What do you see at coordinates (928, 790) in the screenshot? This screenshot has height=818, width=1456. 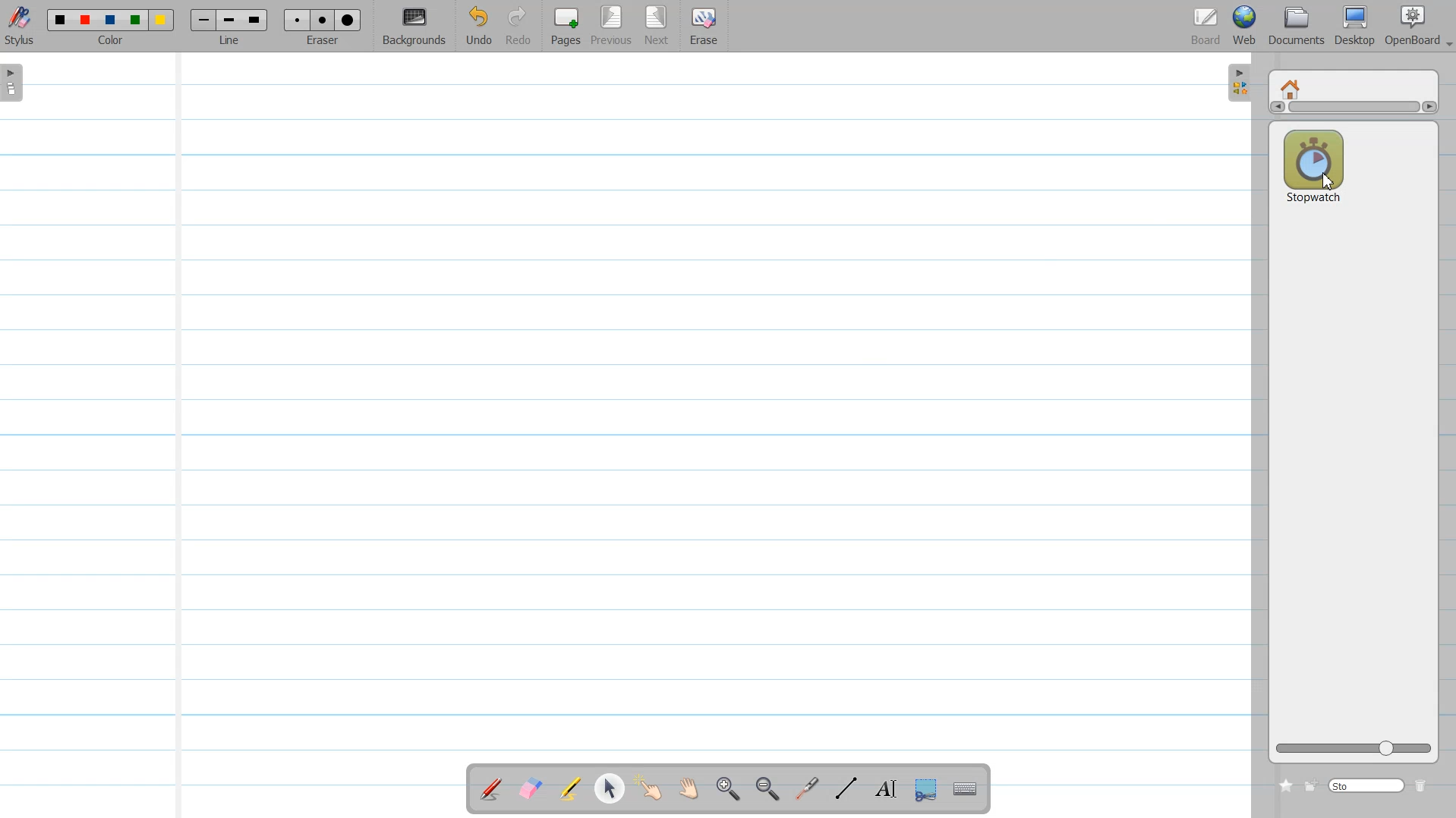 I see `Capture part of the Screen` at bounding box center [928, 790].